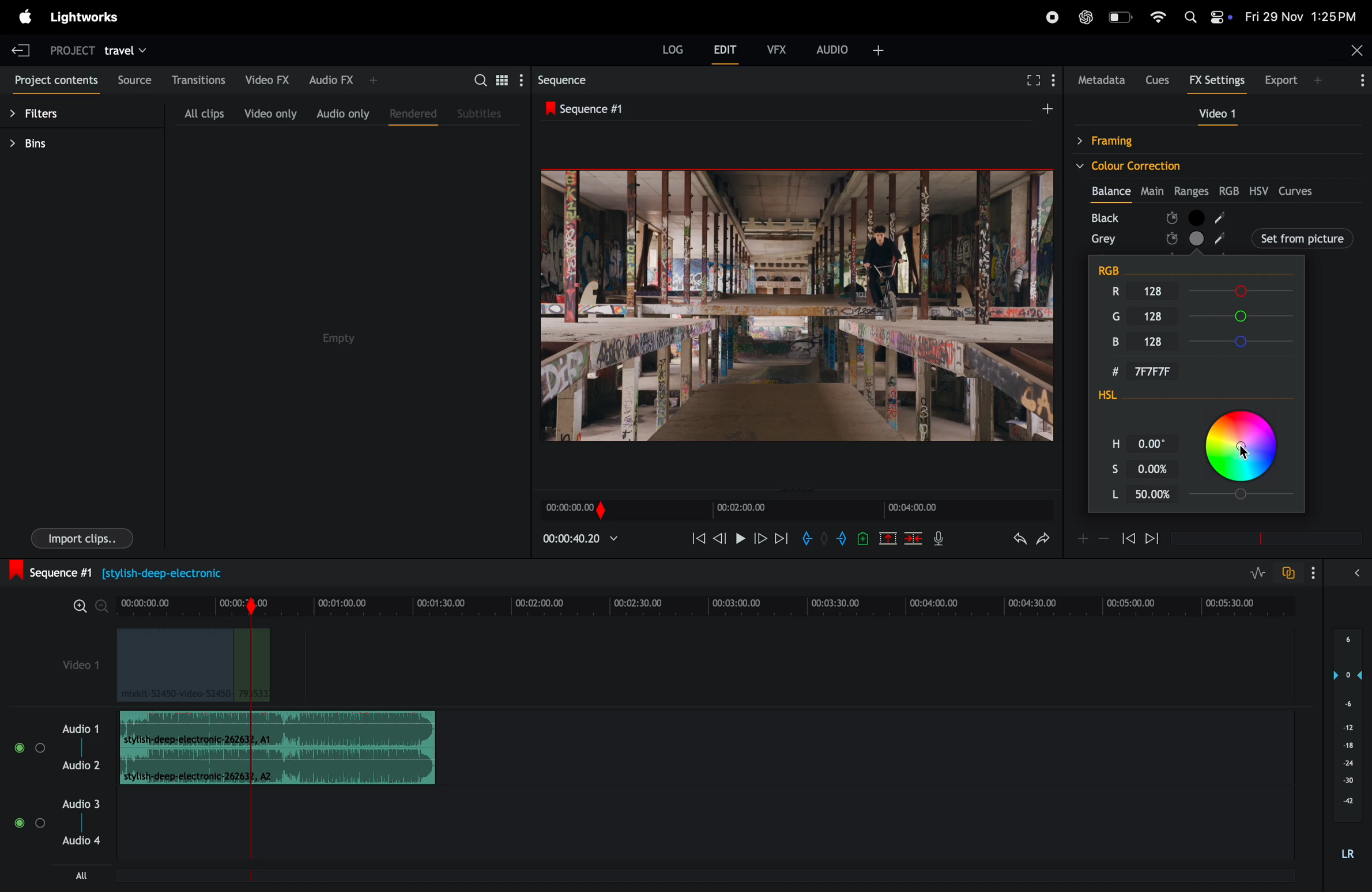 The height and width of the screenshot is (892, 1372). What do you see at coordinates (862, 540) in the screenshot?
I see `add cue to current position` at bounding box center [862, 540].